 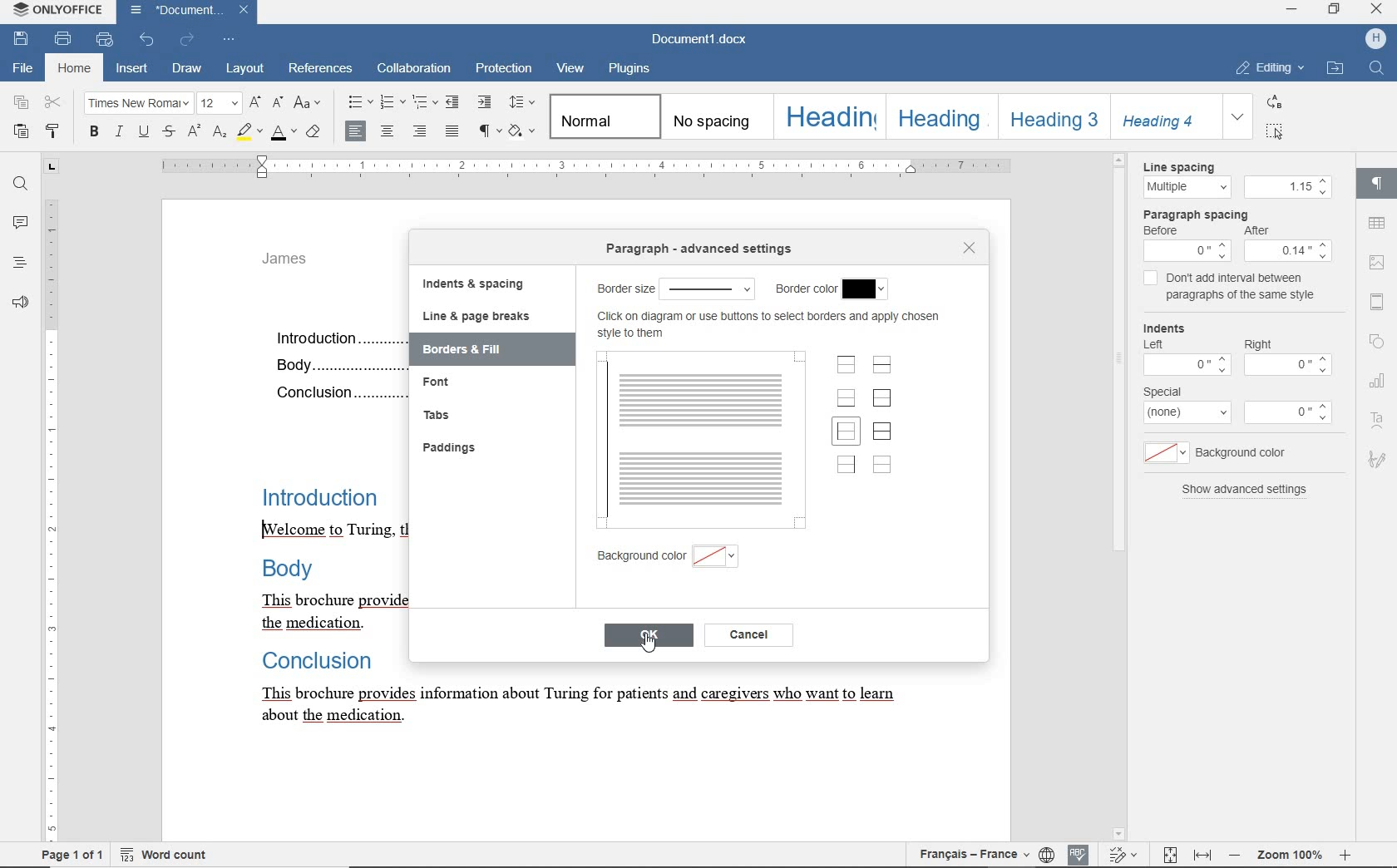 What do you see at coordinates (1290, 250) in the screenshot?
I see `menu` at bounding box center [1290, 250].